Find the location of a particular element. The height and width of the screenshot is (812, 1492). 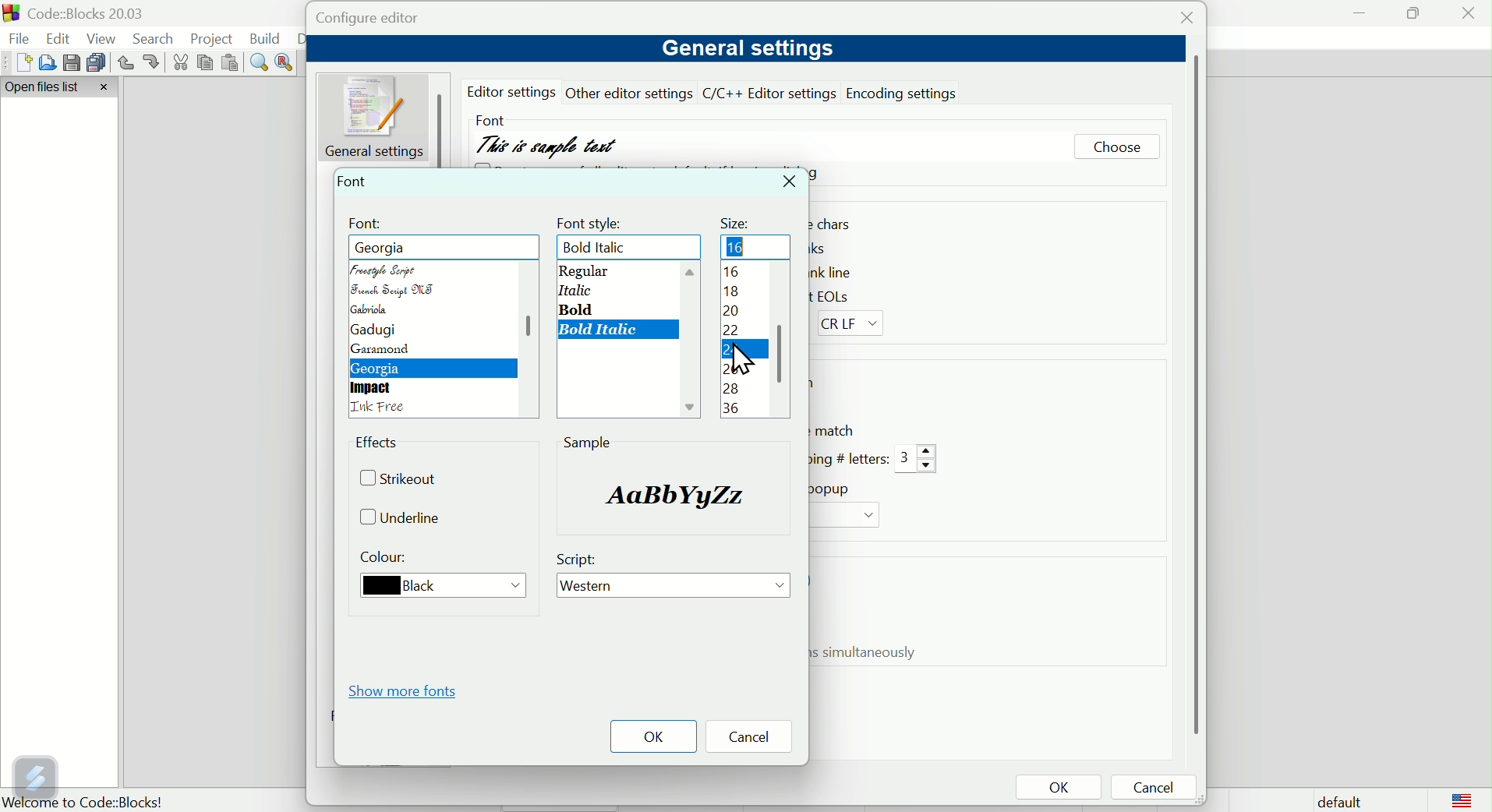

Black is located at coordinates (436, 587).